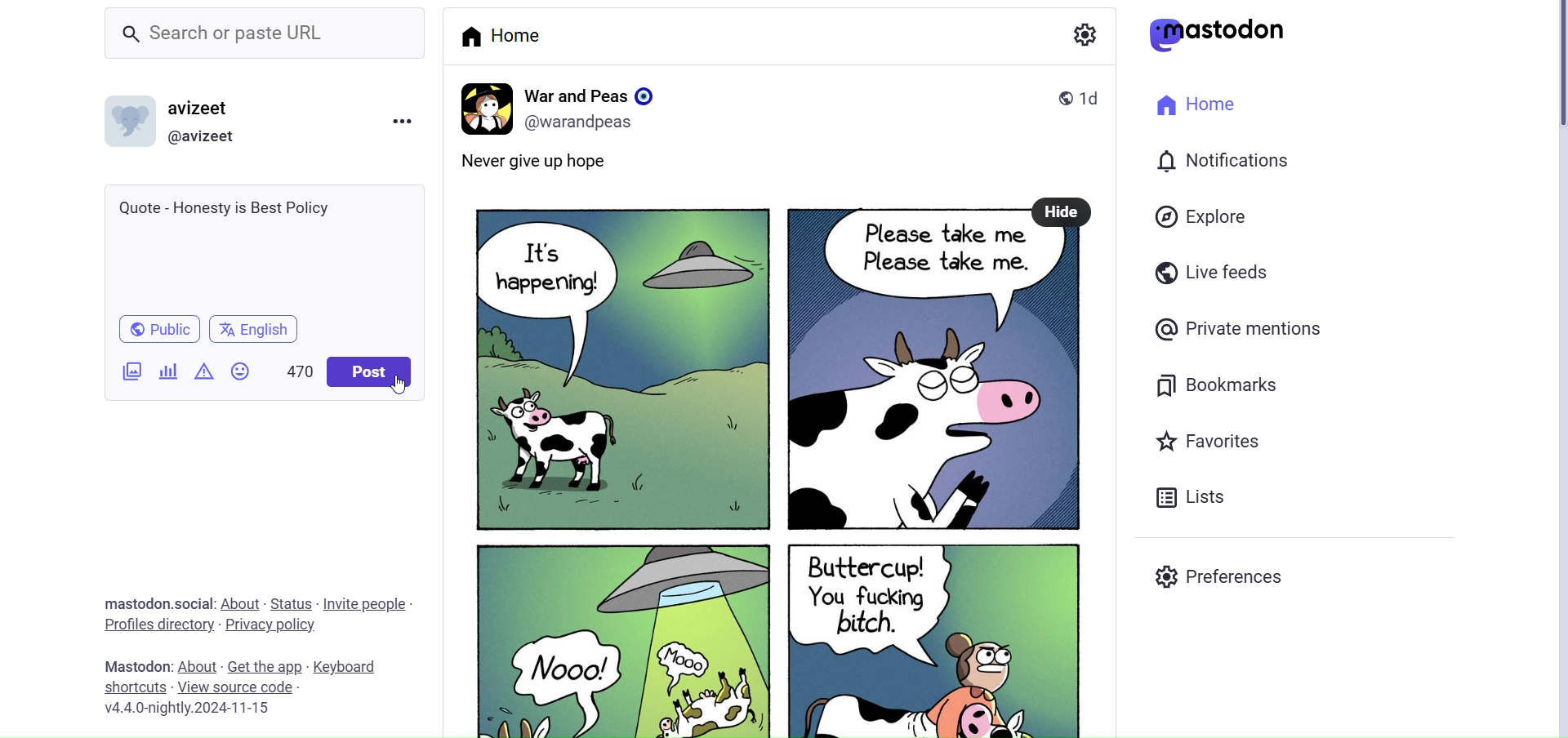 The width and height of the screenshot is (1568, 738). I want to click on Notification, so click(1225, 158).